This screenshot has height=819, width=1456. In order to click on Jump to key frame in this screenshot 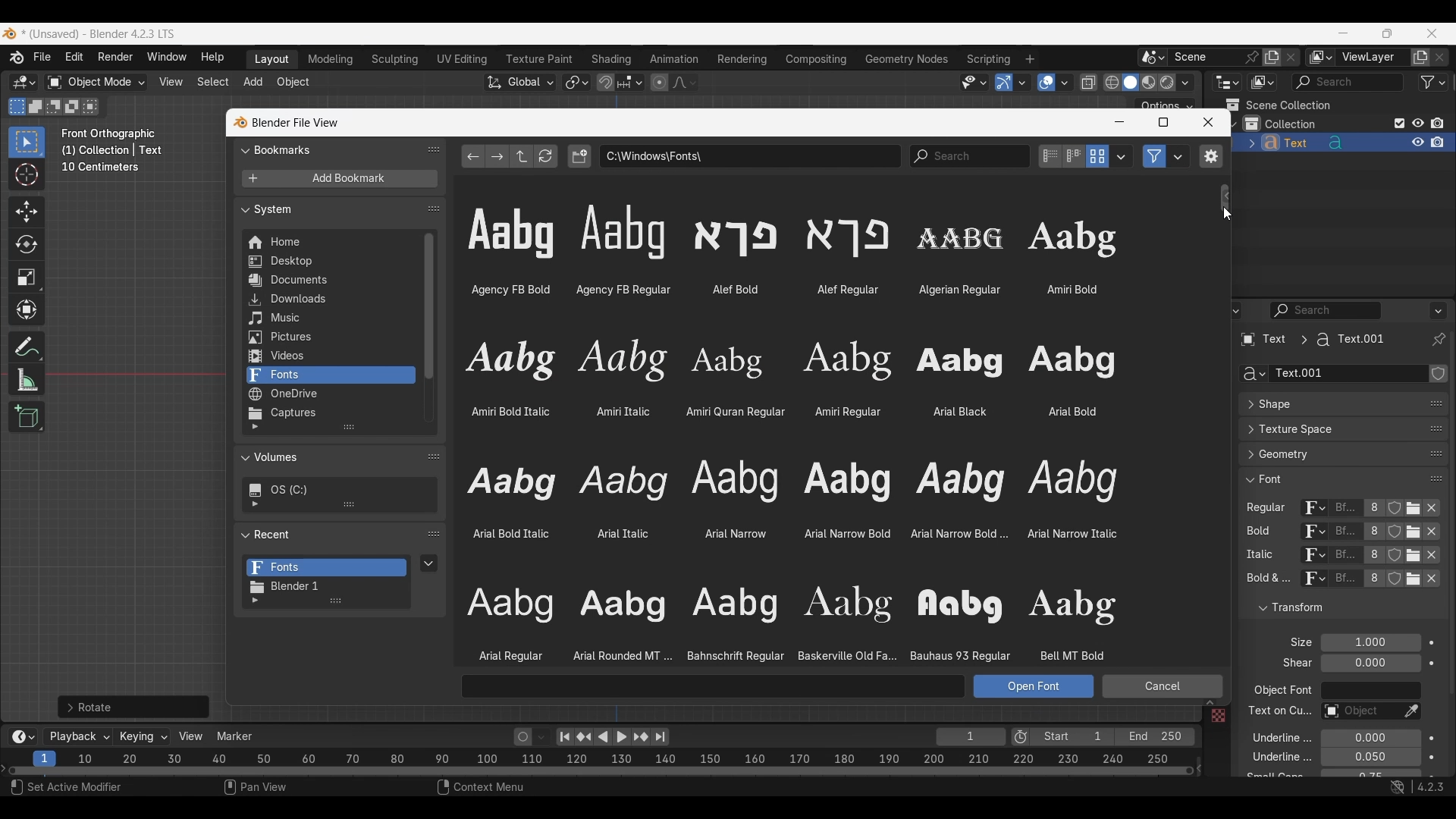, I will do `click(641, 737)`.